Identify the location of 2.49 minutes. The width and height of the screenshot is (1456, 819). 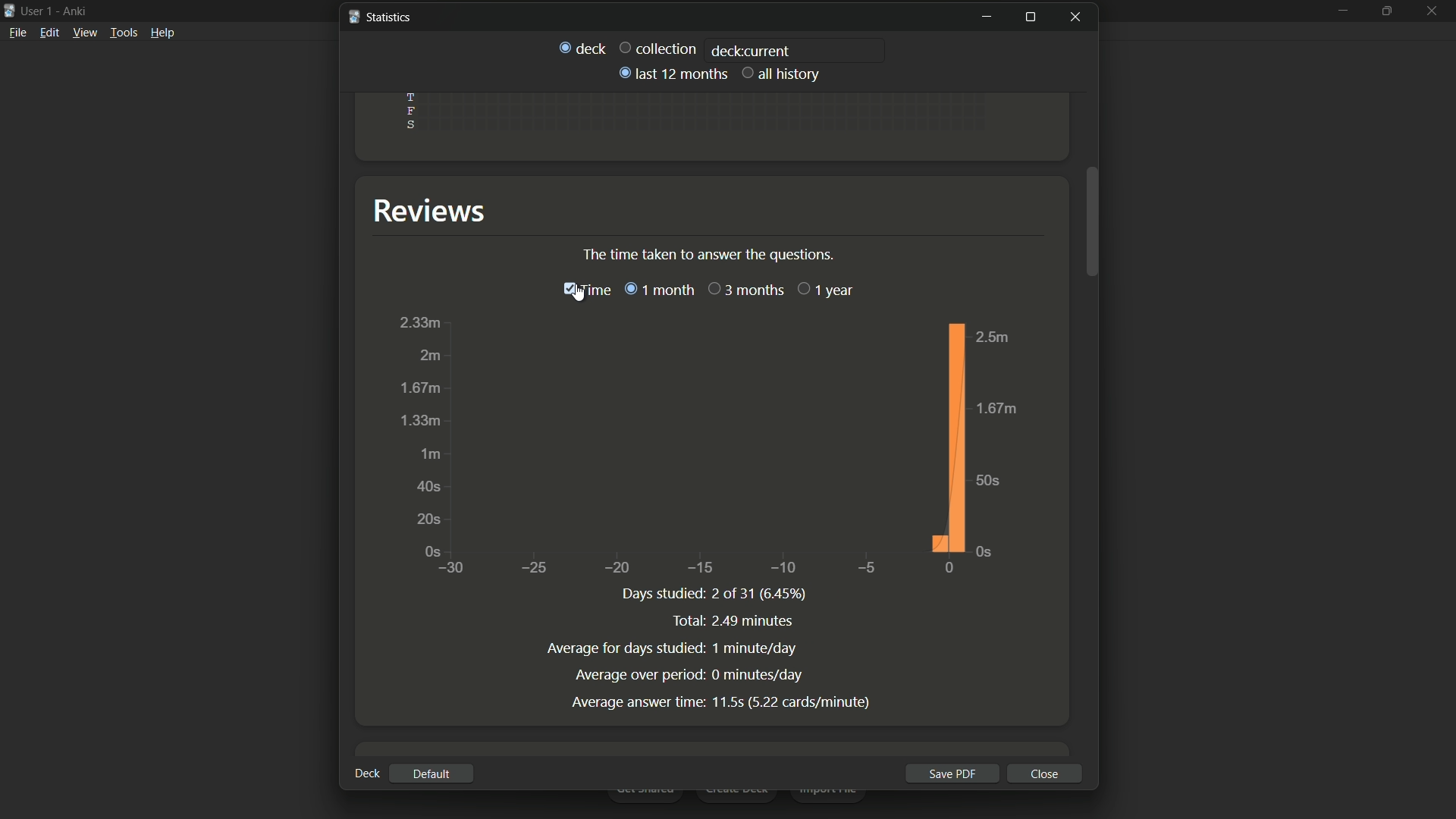
(754, 620).